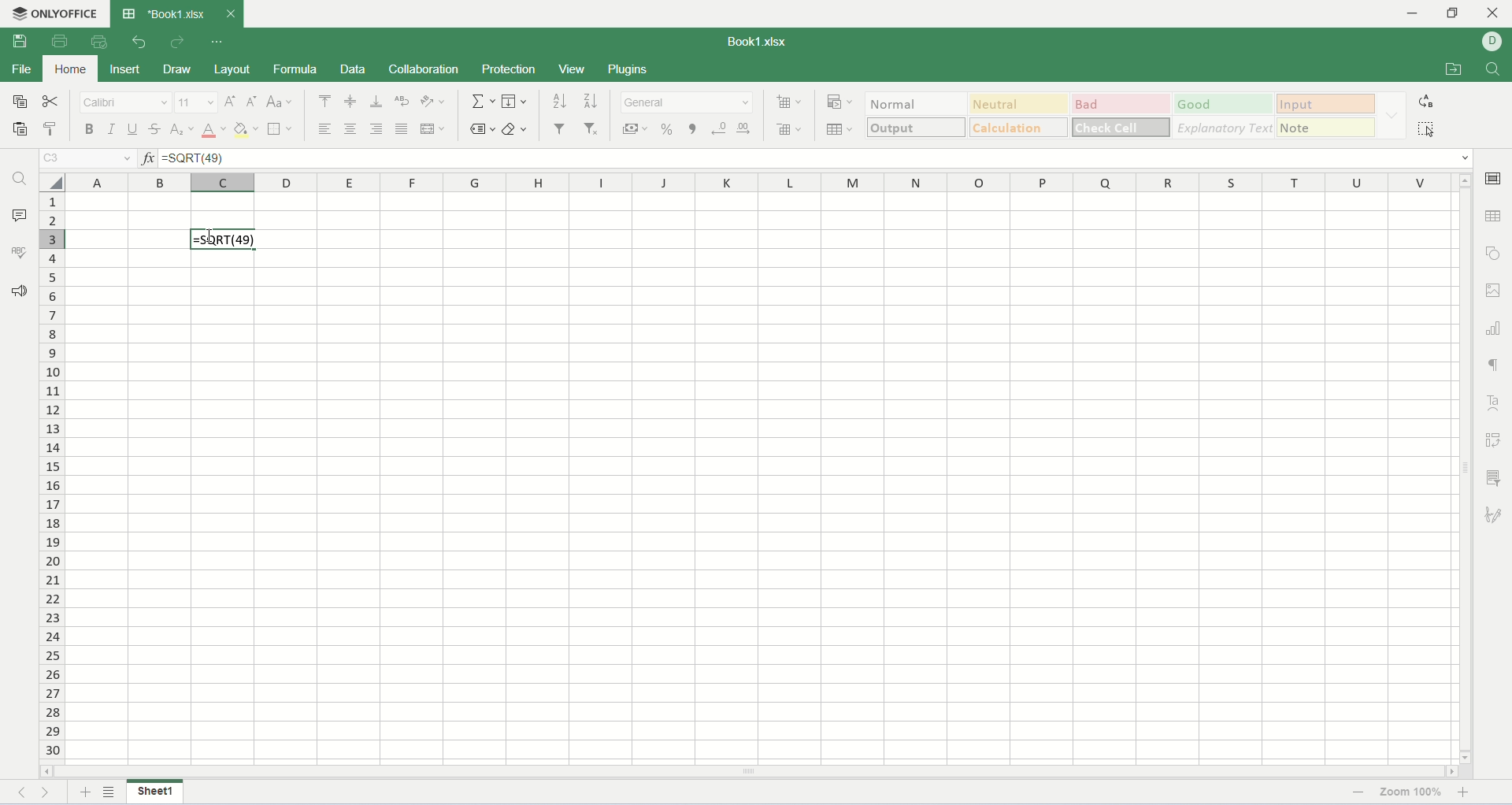 This screenshot has width=1512, height=805. What do you see at coordinates (18, 130) in the screenshot?
I see `paste` at bounding box center [18, 130].